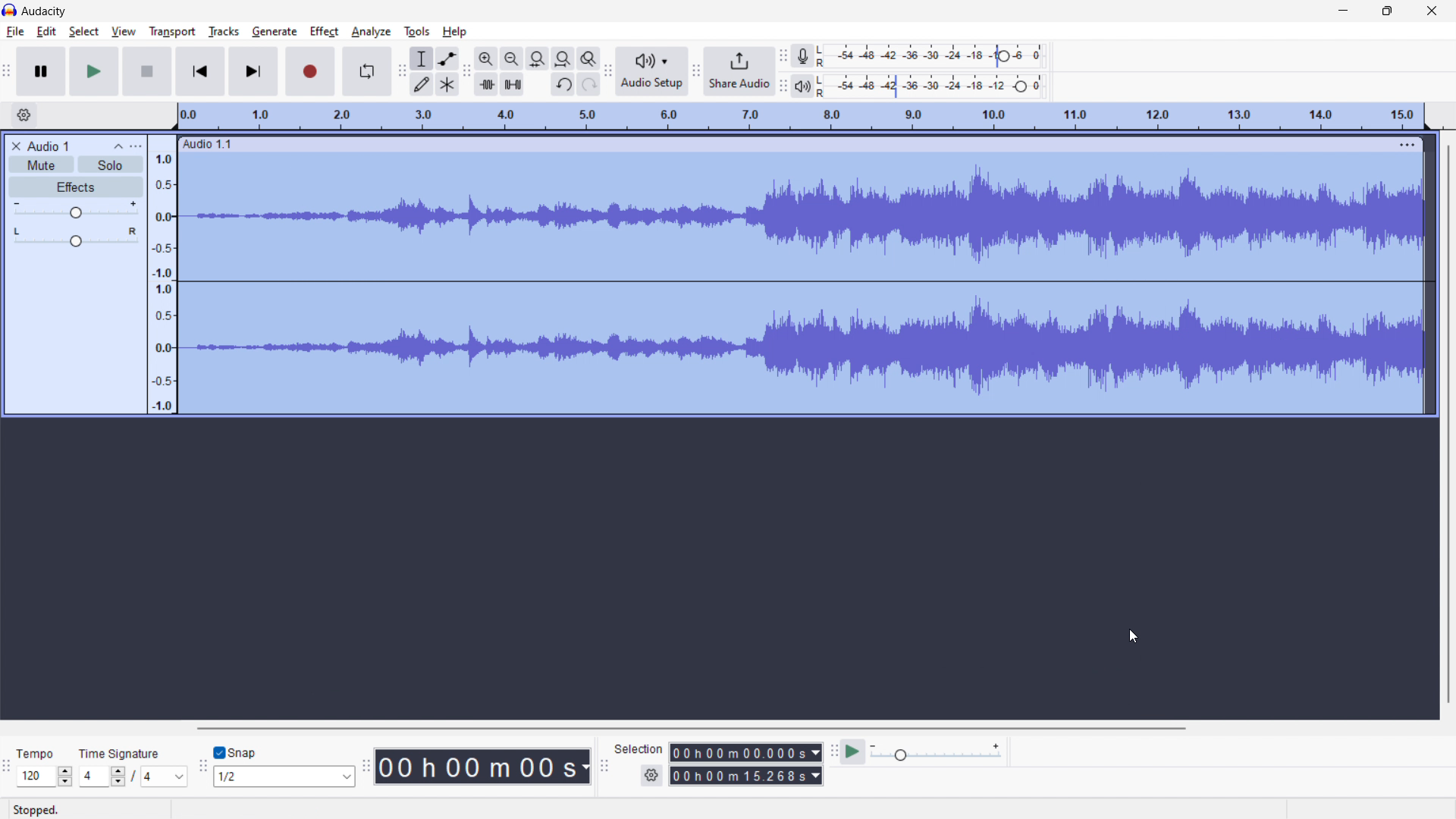 The height and width of the screenshot is (819, 1456). I want to click on play, so click(95, 71).